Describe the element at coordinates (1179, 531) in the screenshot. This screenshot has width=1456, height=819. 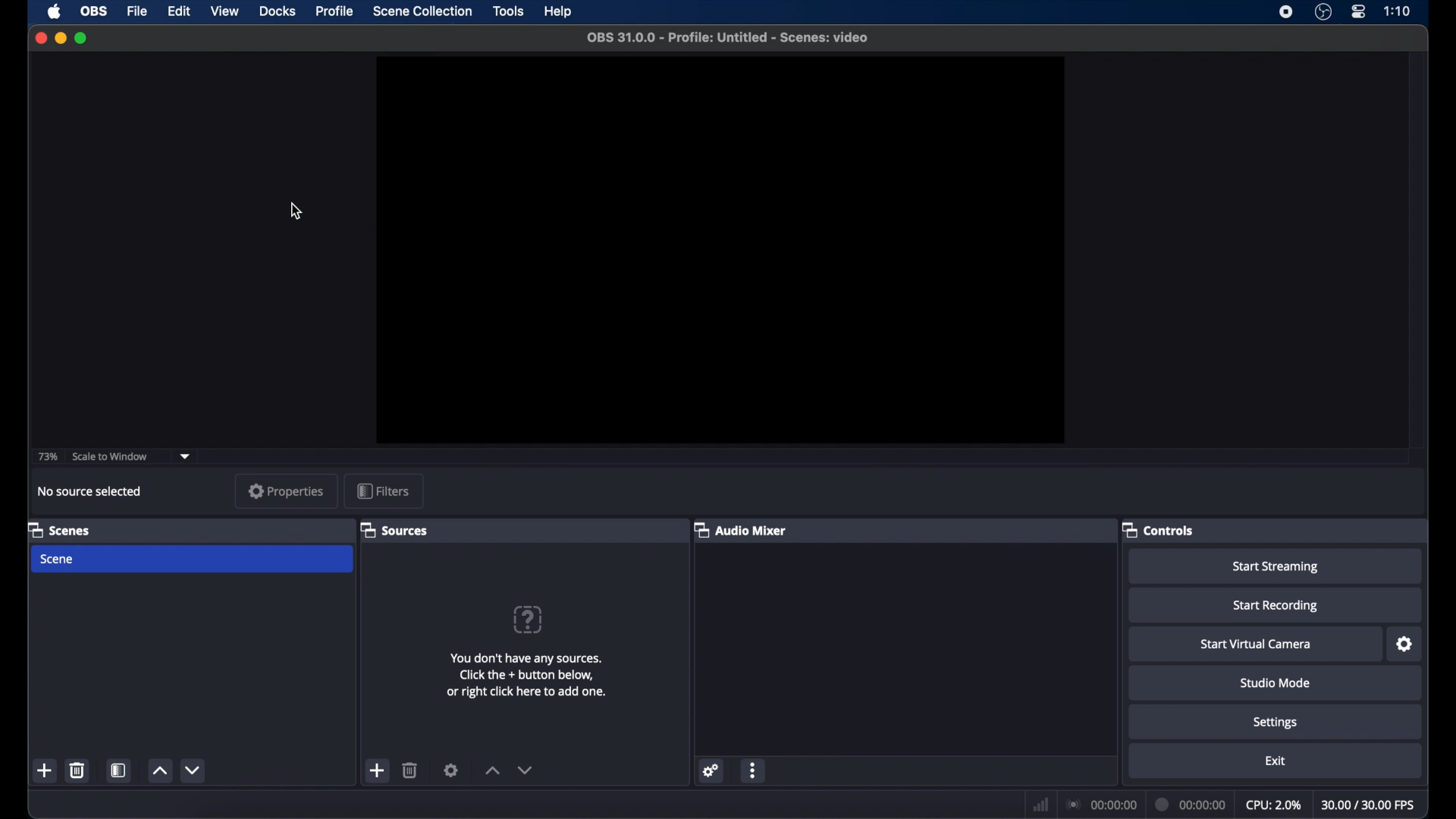
I see `controls` at that location.